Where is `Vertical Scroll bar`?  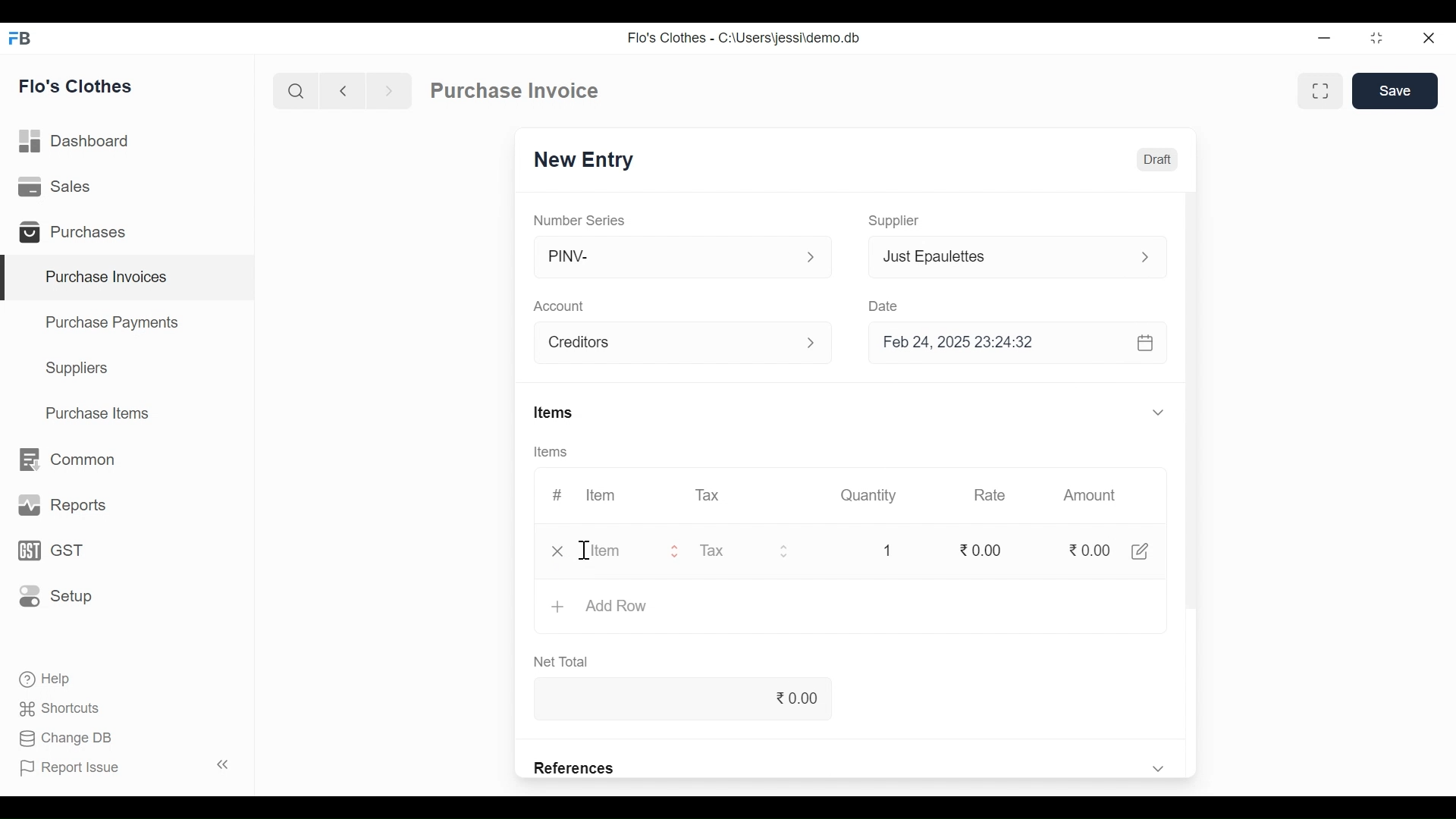 Vertical Scroll bar is located at coordinates (1197, 416).